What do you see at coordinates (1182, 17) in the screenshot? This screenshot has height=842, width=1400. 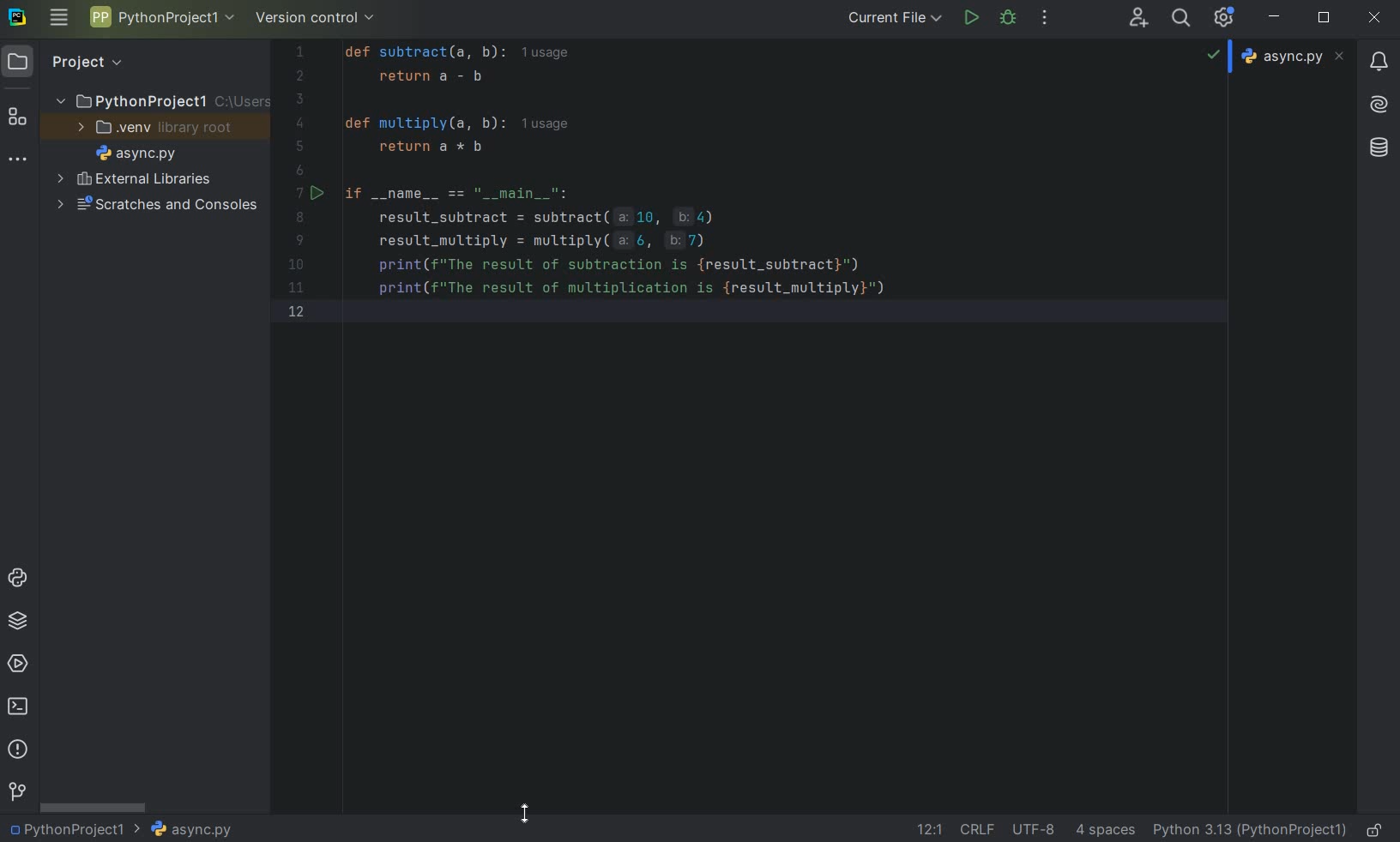 I see `search everywhere` at bounding box center [1182, 17].